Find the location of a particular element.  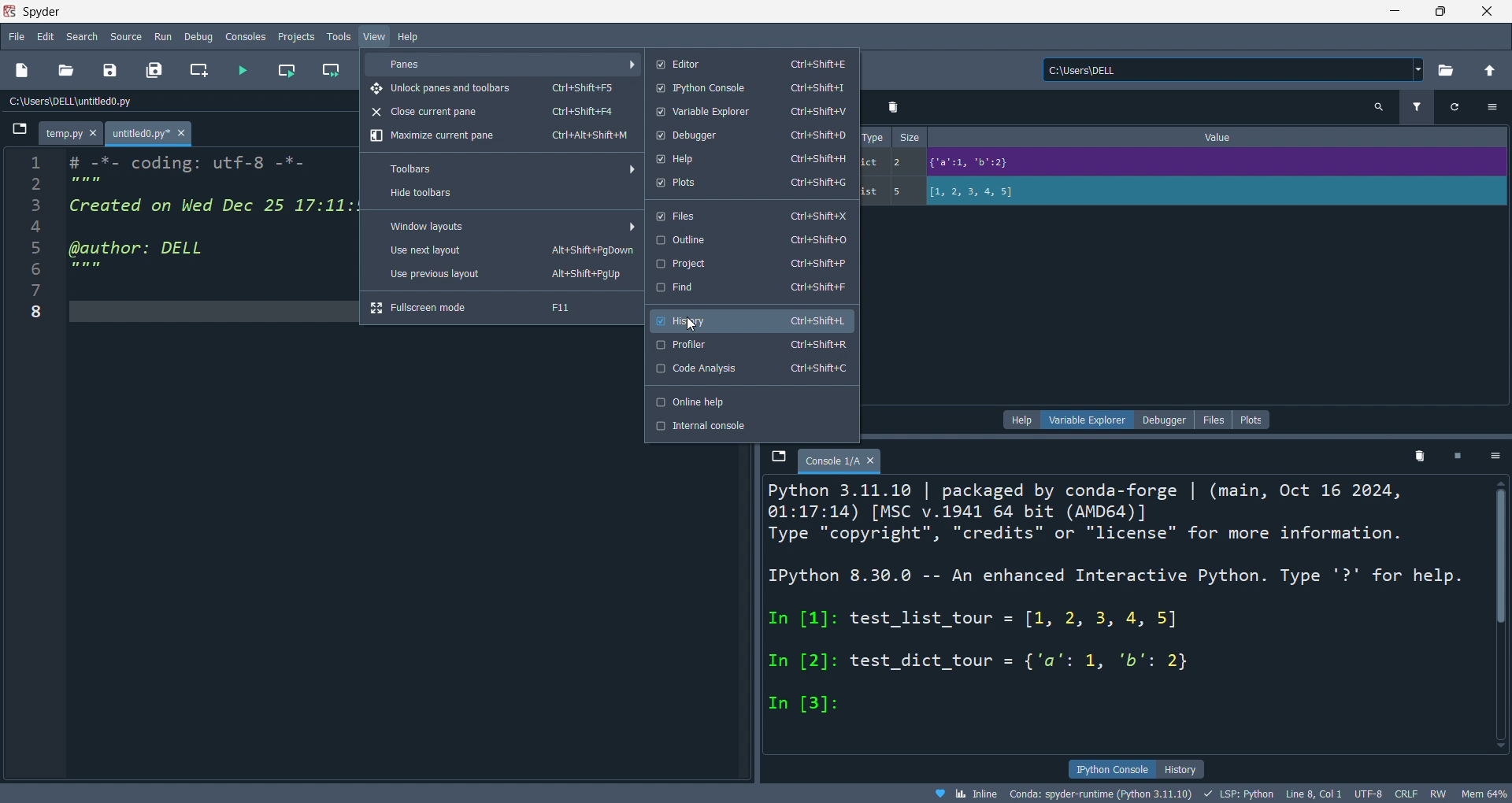

size is located at coordinates (910, 138).